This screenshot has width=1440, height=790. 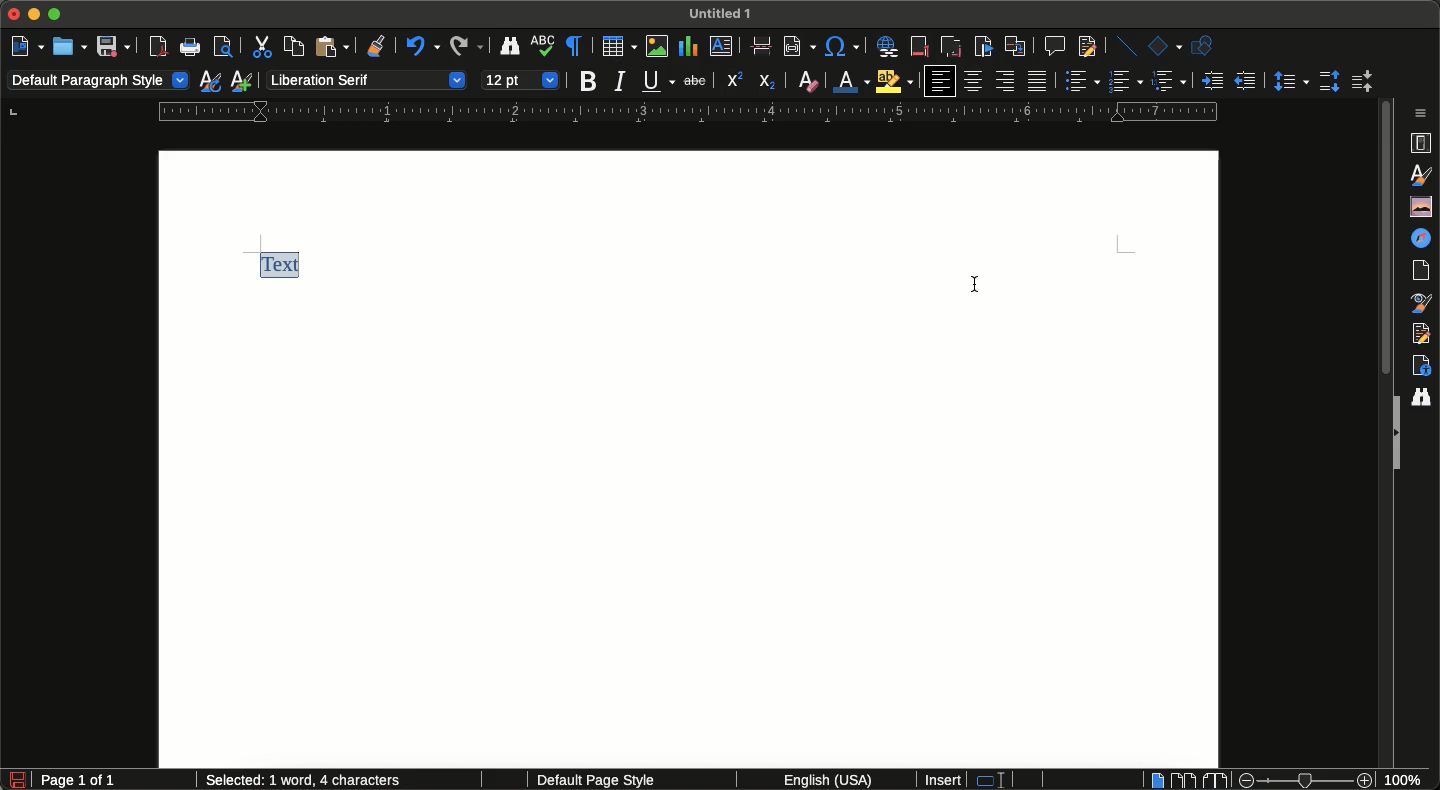 I want to click on Single-page view, so click(x=1155, y=779).